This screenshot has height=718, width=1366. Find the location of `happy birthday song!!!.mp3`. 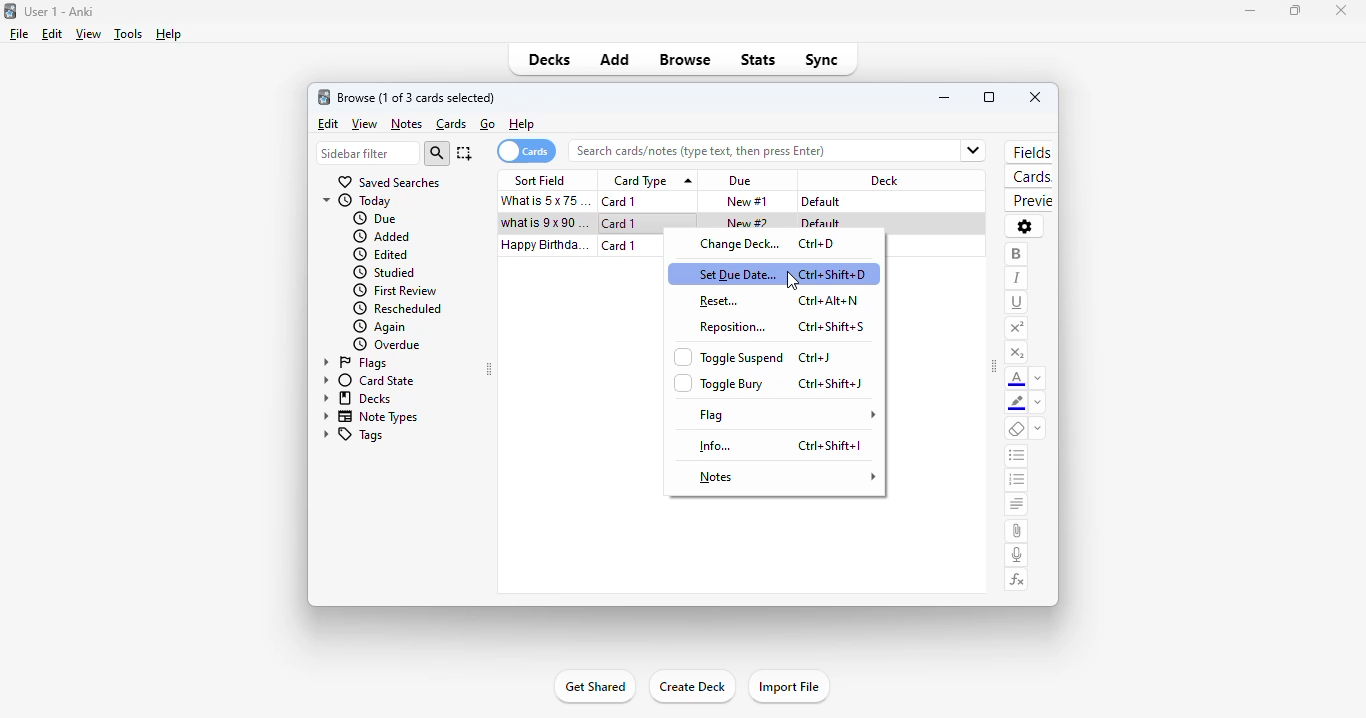

happy birthday song!!!.mp3 is located at coordinates (545, 245).